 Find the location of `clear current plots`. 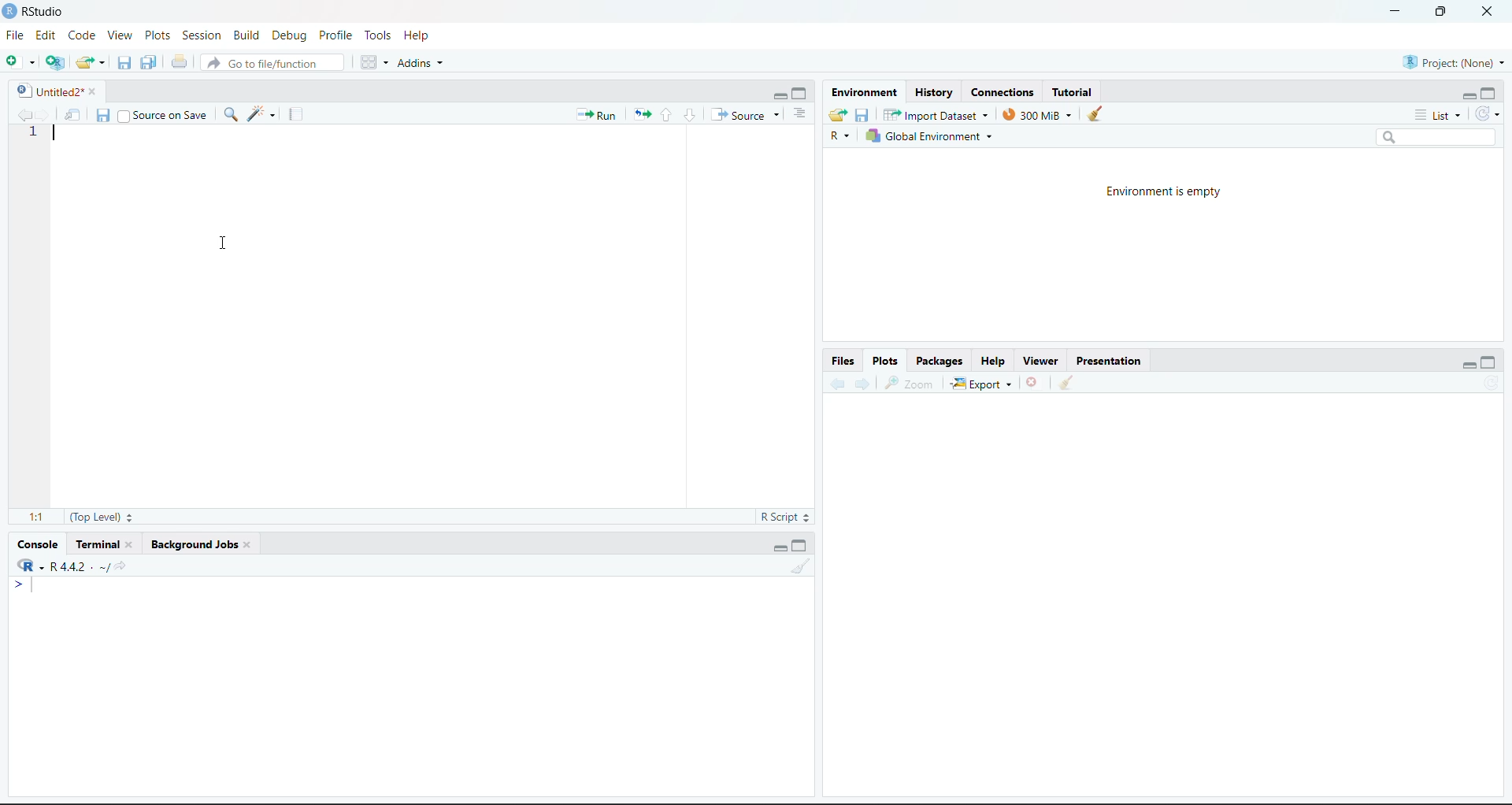

clear current plots is located at coordinates (1032, 382).